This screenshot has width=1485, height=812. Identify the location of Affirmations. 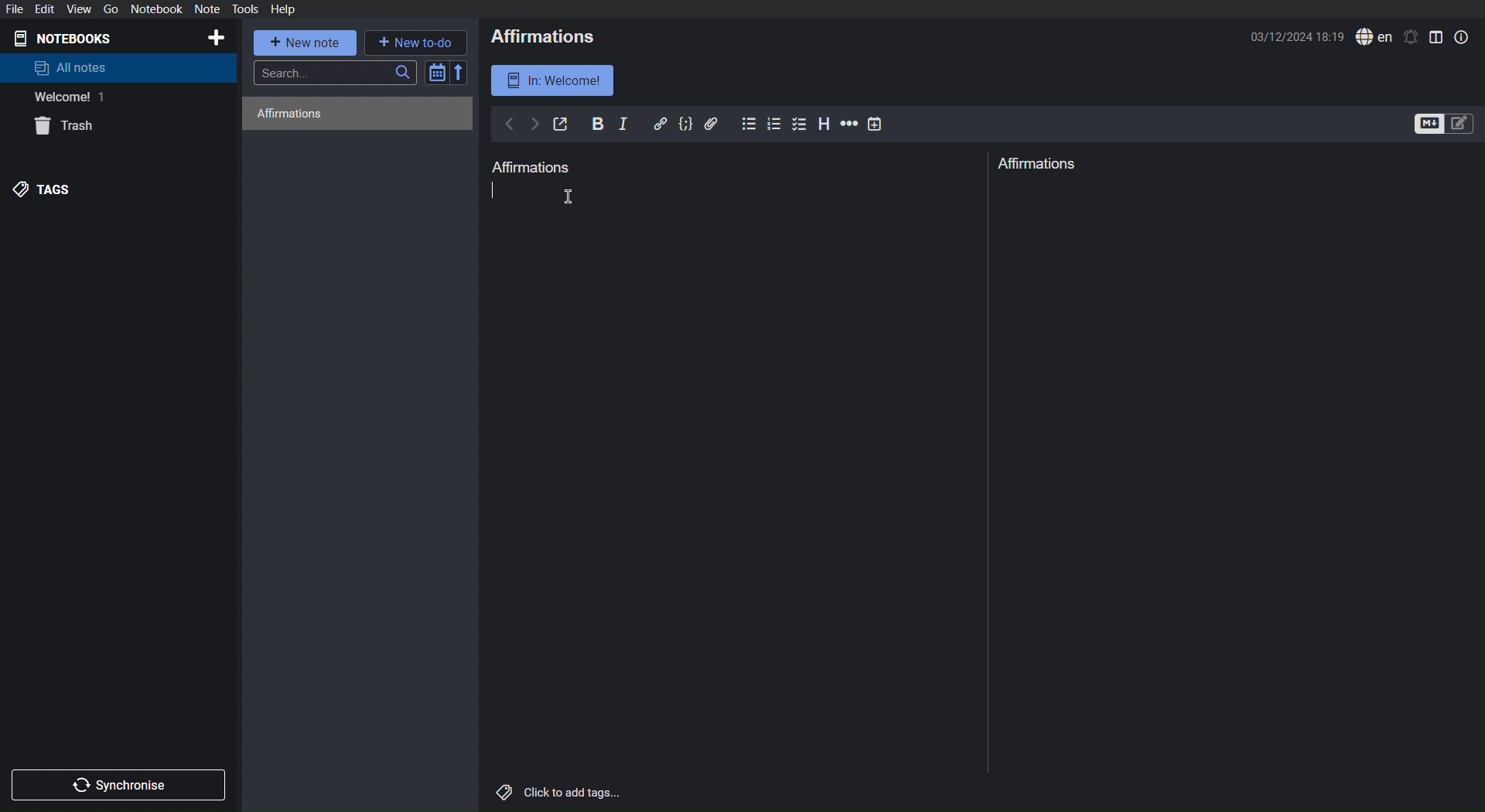
(533, 167).